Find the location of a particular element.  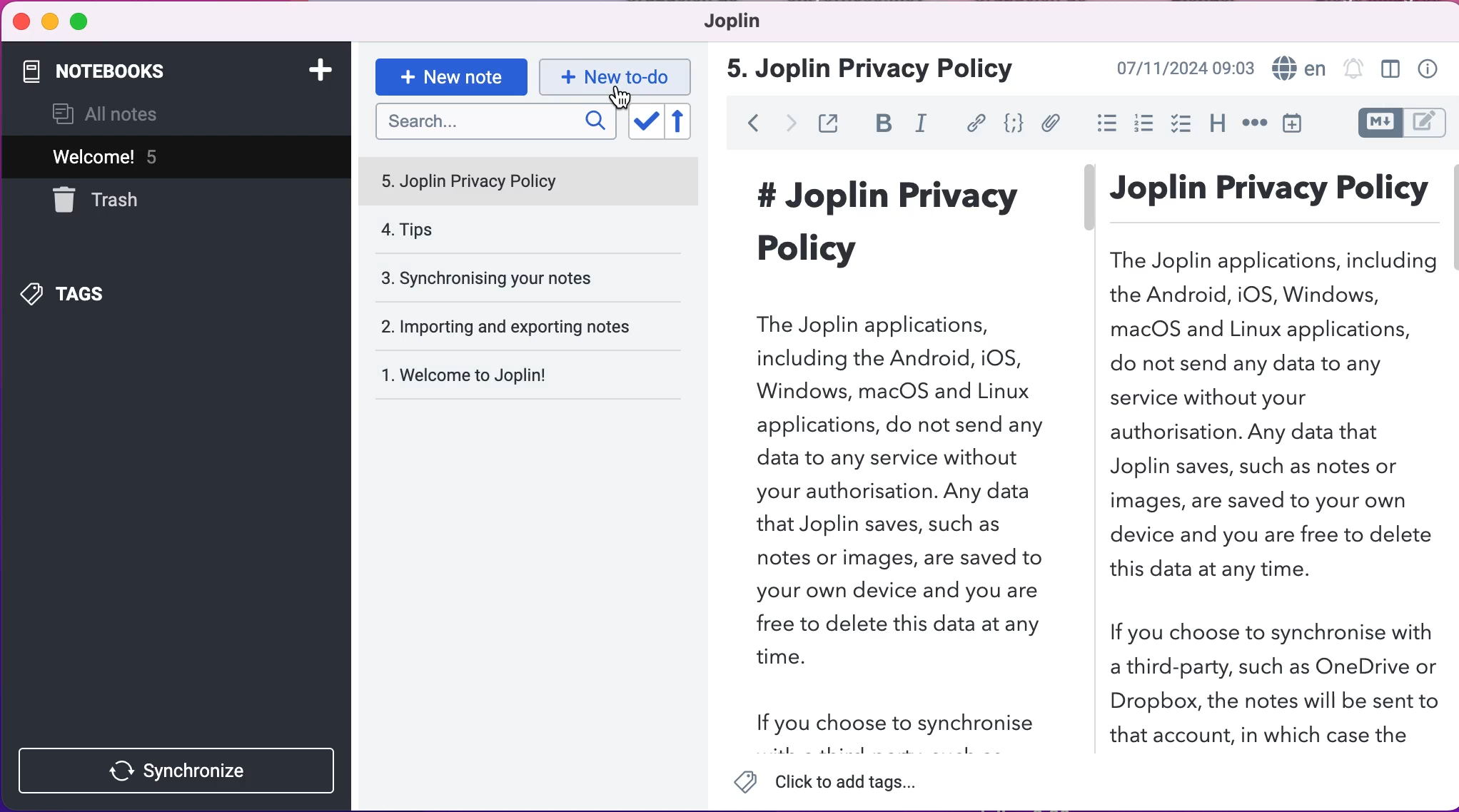

tags is located at coordinates (92, 291).